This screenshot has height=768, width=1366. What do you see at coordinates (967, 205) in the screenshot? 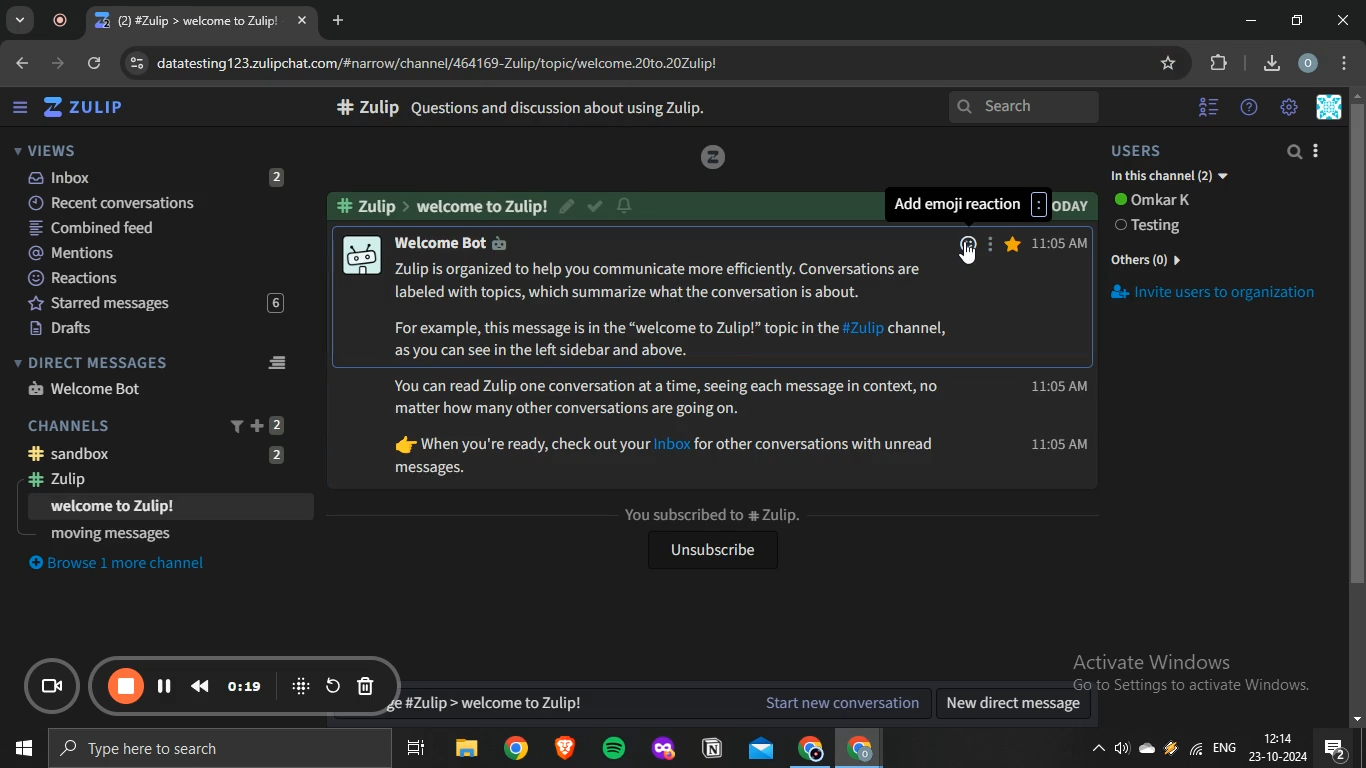
I see `add emoji reaction` at bounding box center [967, 205].